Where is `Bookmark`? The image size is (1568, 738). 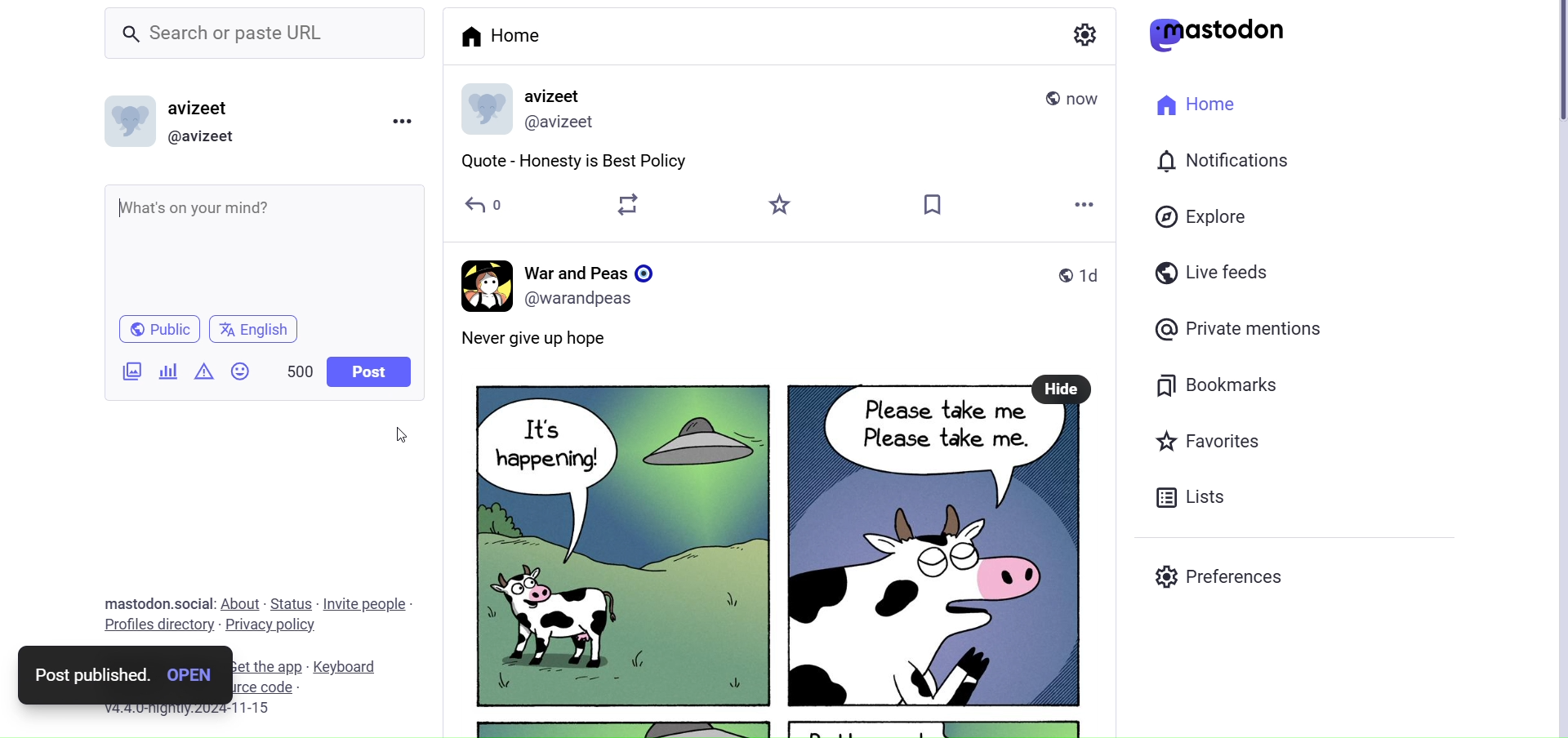
Bookmark is located at coordinates (933, 205).